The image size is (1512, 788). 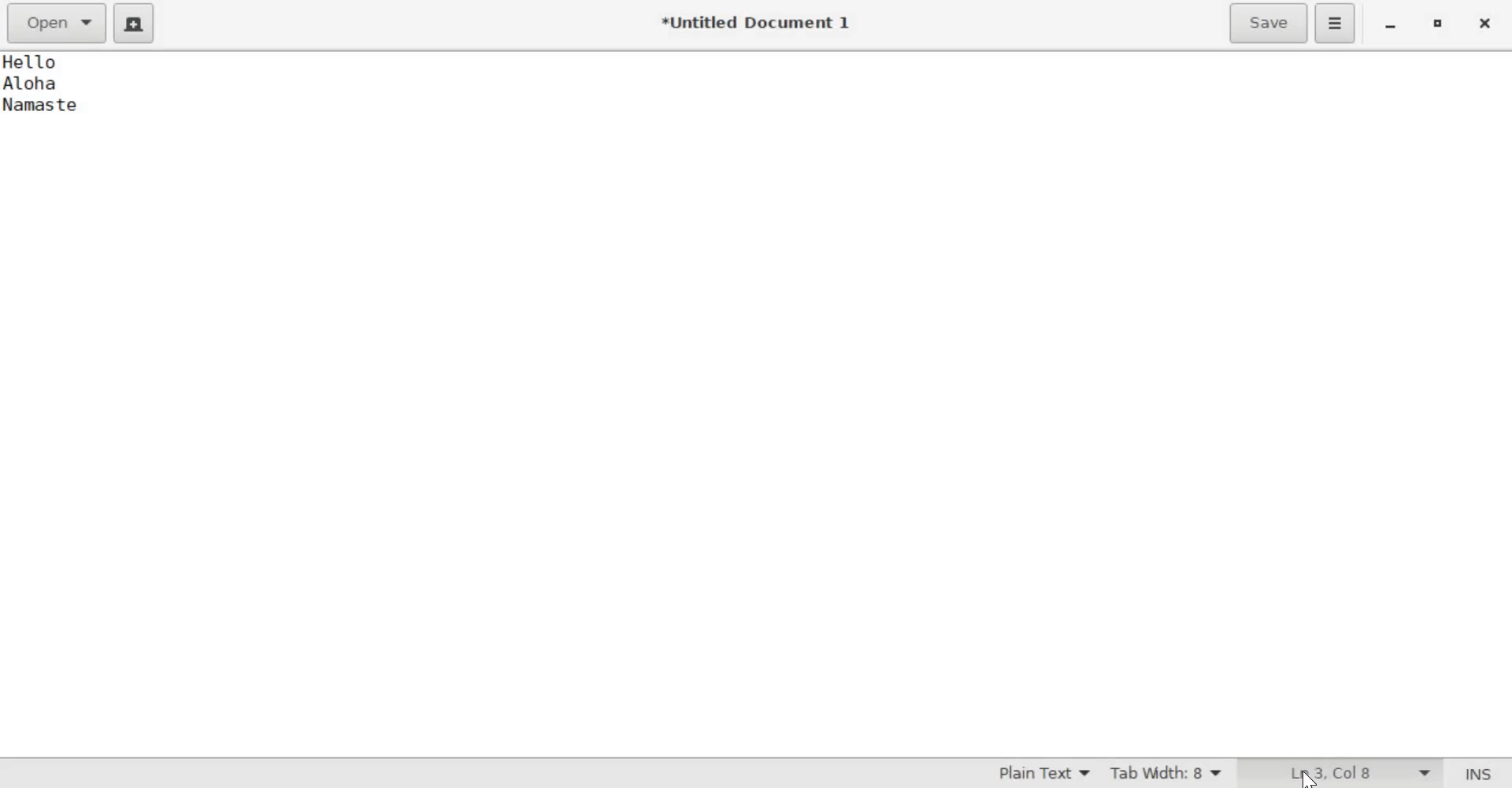 What do you see at coordinates (1389, 27) in the screenshot?
I see `Minimize` at bounding box center [1389, 27].